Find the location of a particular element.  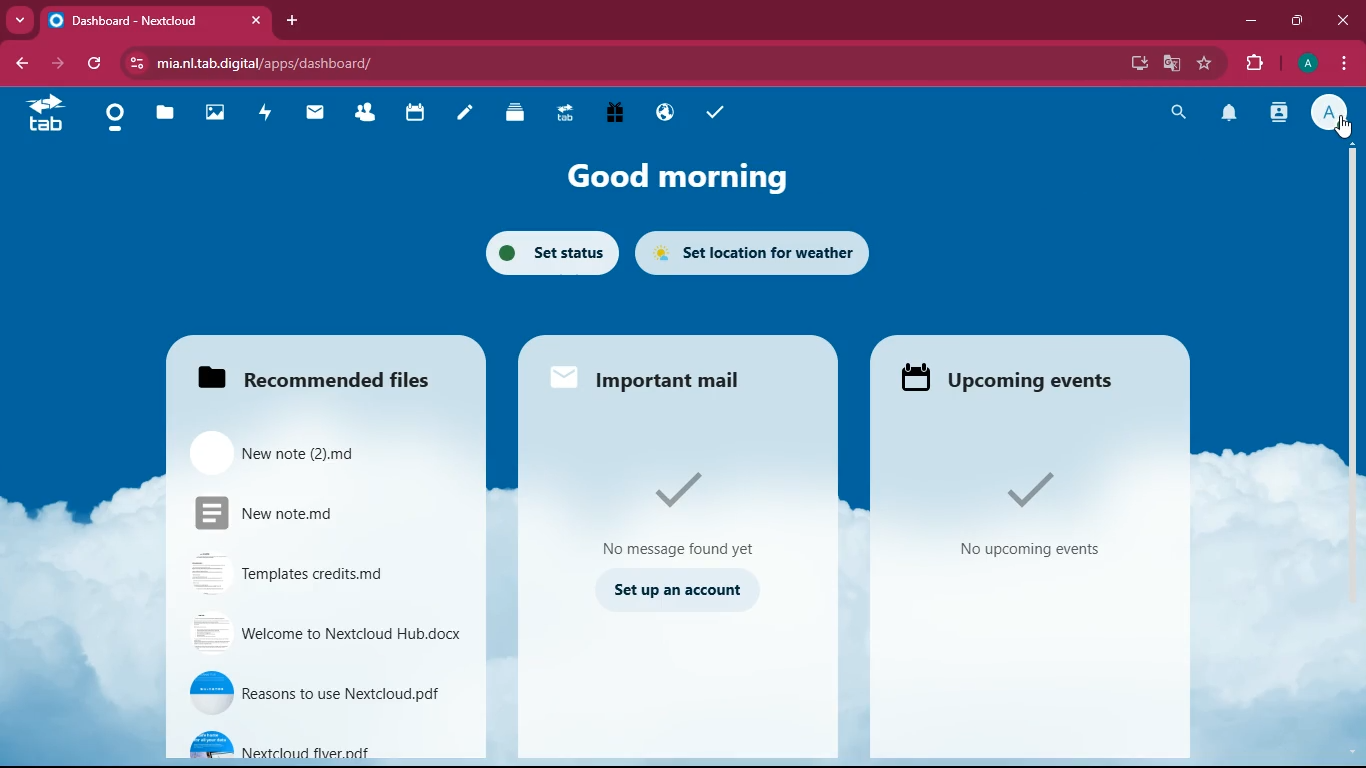

files is located at coordinates (164, 117).